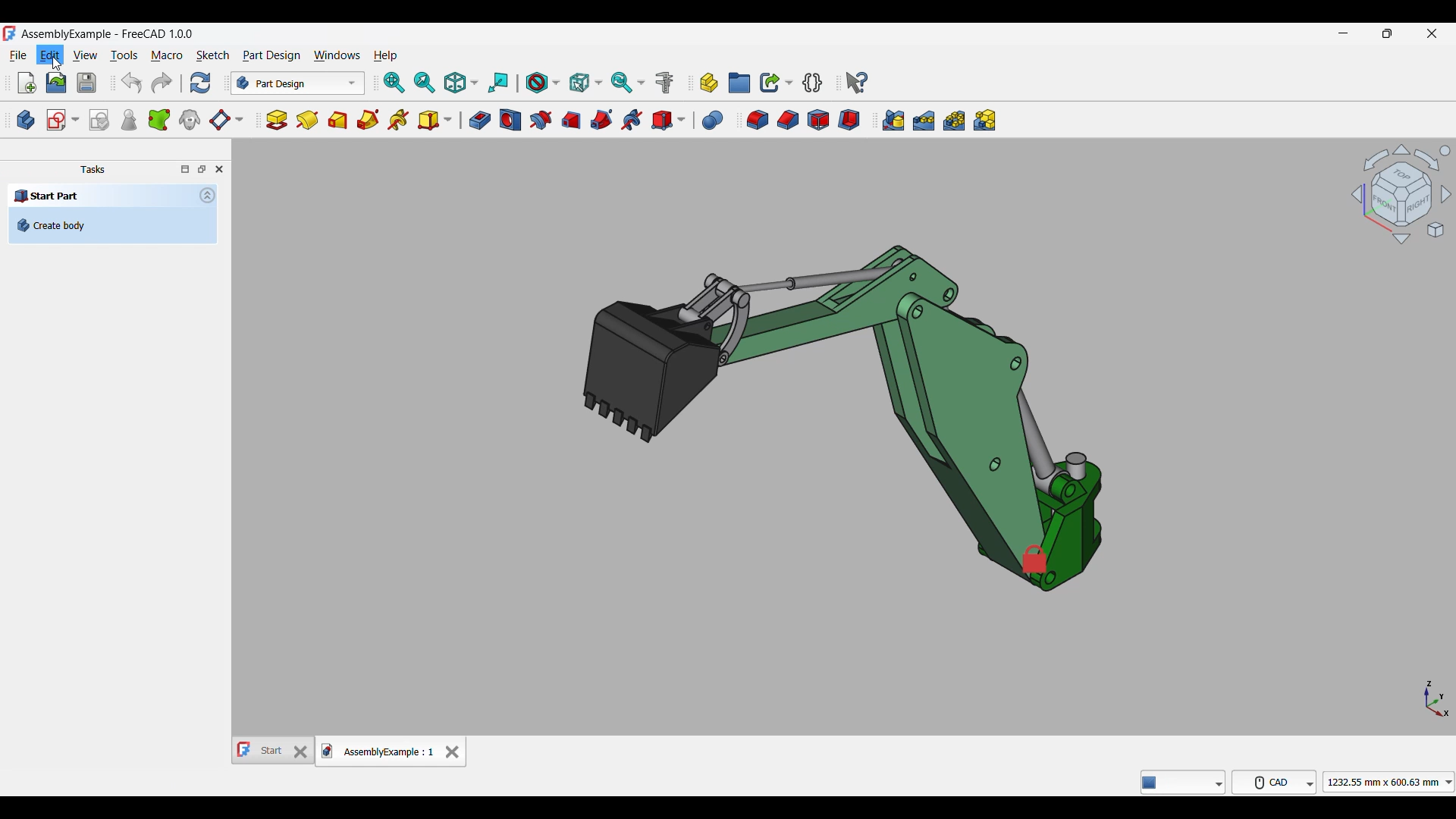 This screenshot has height=819, width=1456. Describe the element at coordinates (162, 83) in the screenshot. I see `Redo` at that location.